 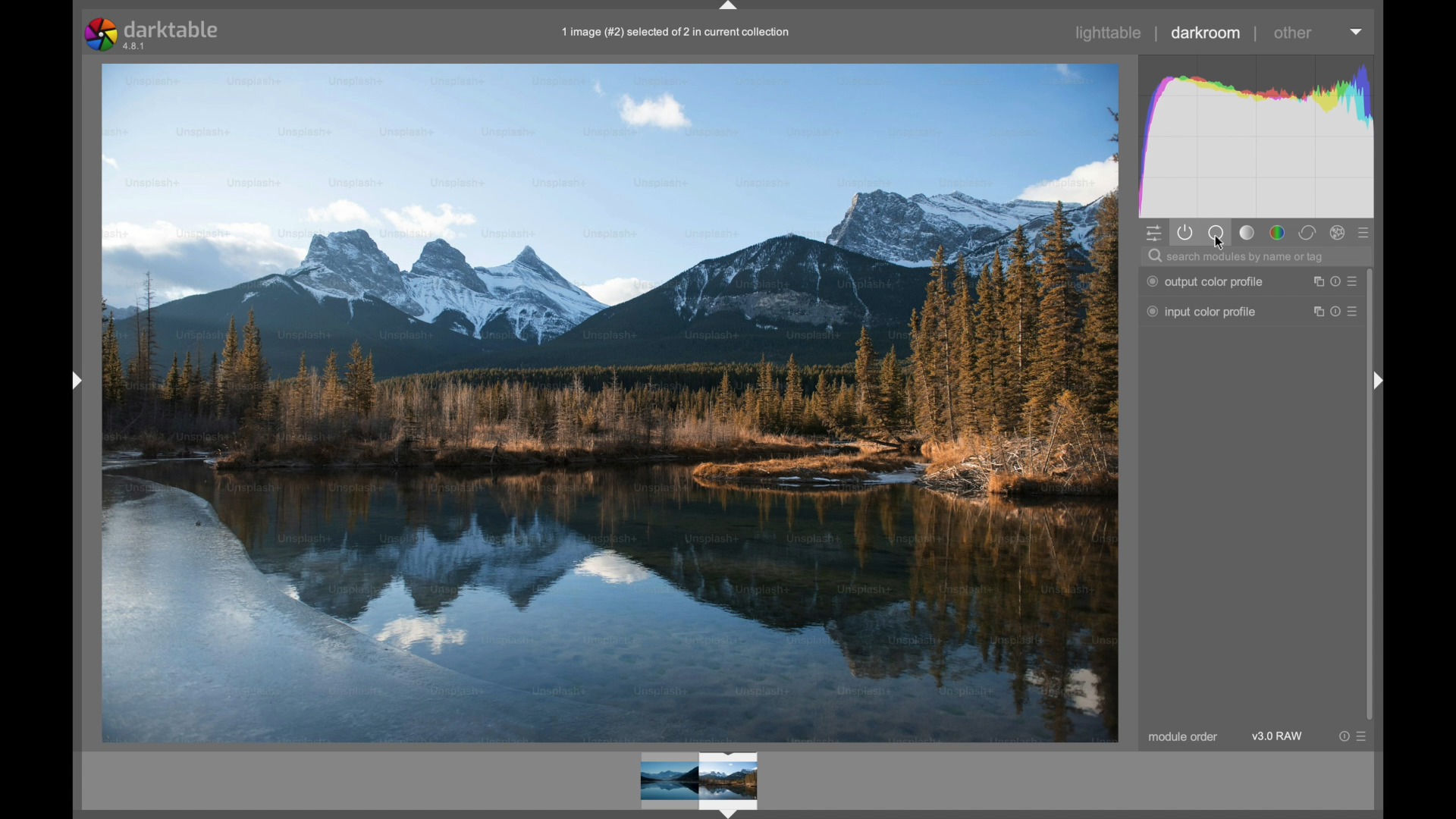 I want to click on preview, so click(x=698, y=780).